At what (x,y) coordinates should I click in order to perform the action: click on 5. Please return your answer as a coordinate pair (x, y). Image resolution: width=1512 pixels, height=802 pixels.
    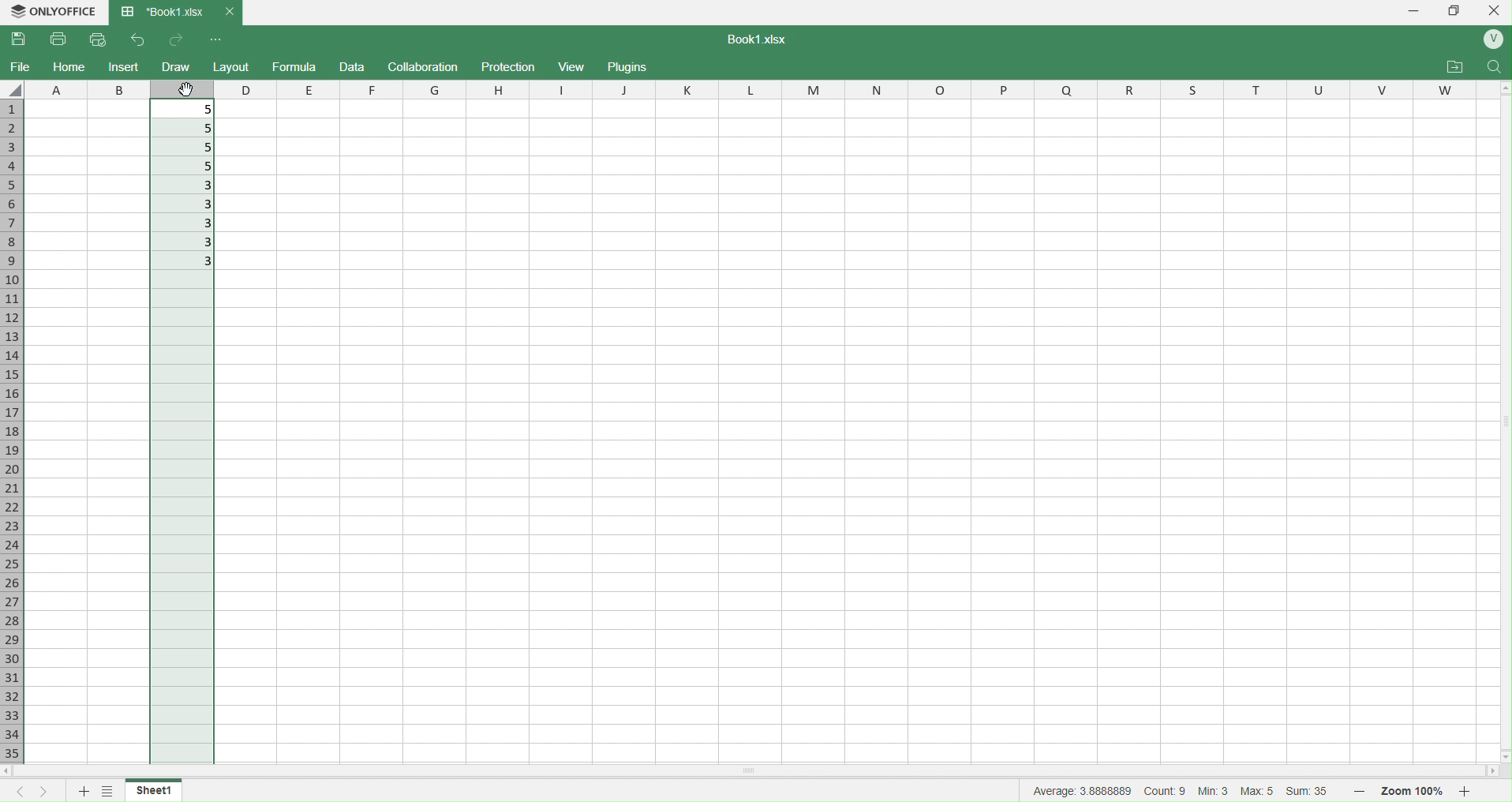
    Looking at the image, I should click on (187, 167).